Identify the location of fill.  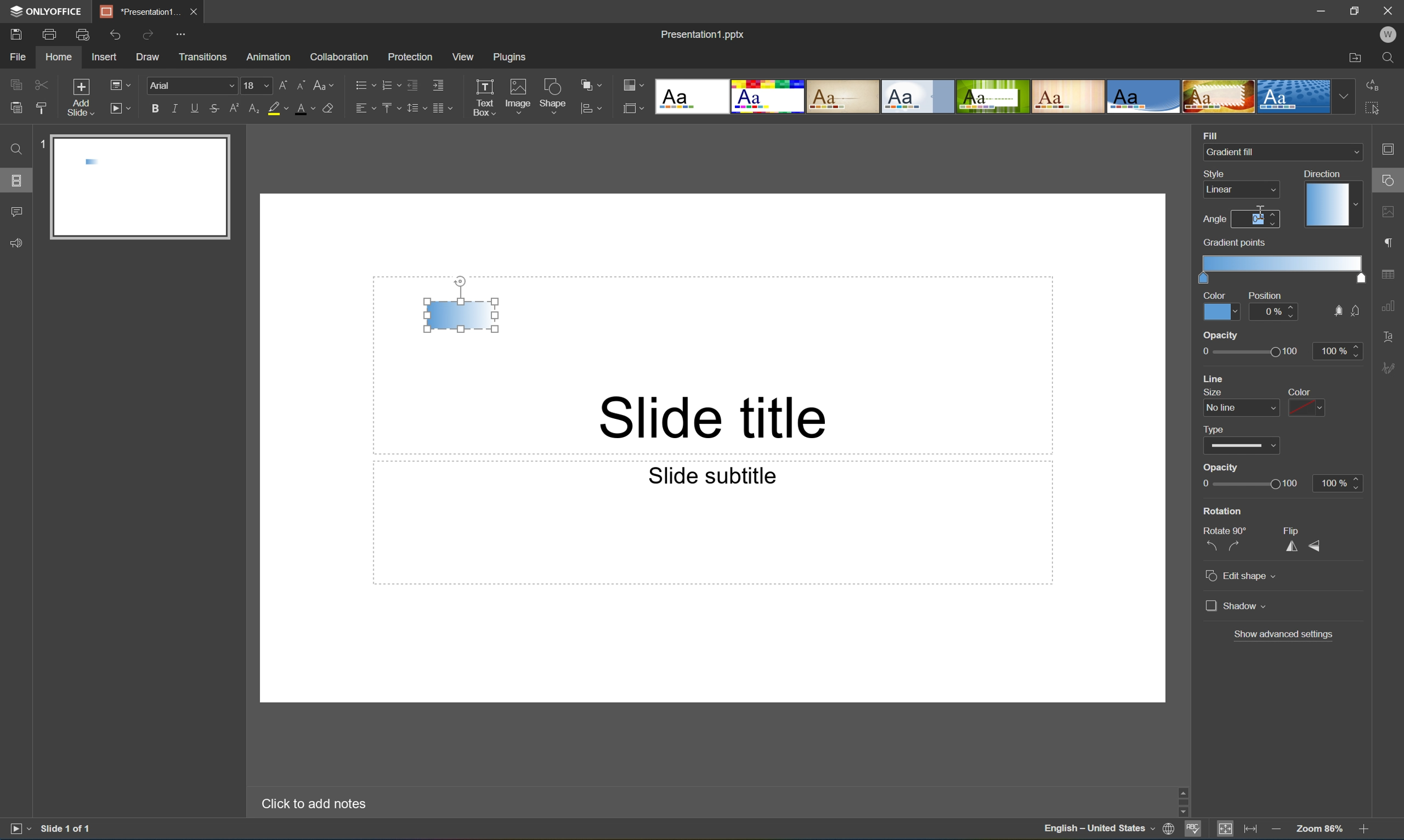
(1336, 311).